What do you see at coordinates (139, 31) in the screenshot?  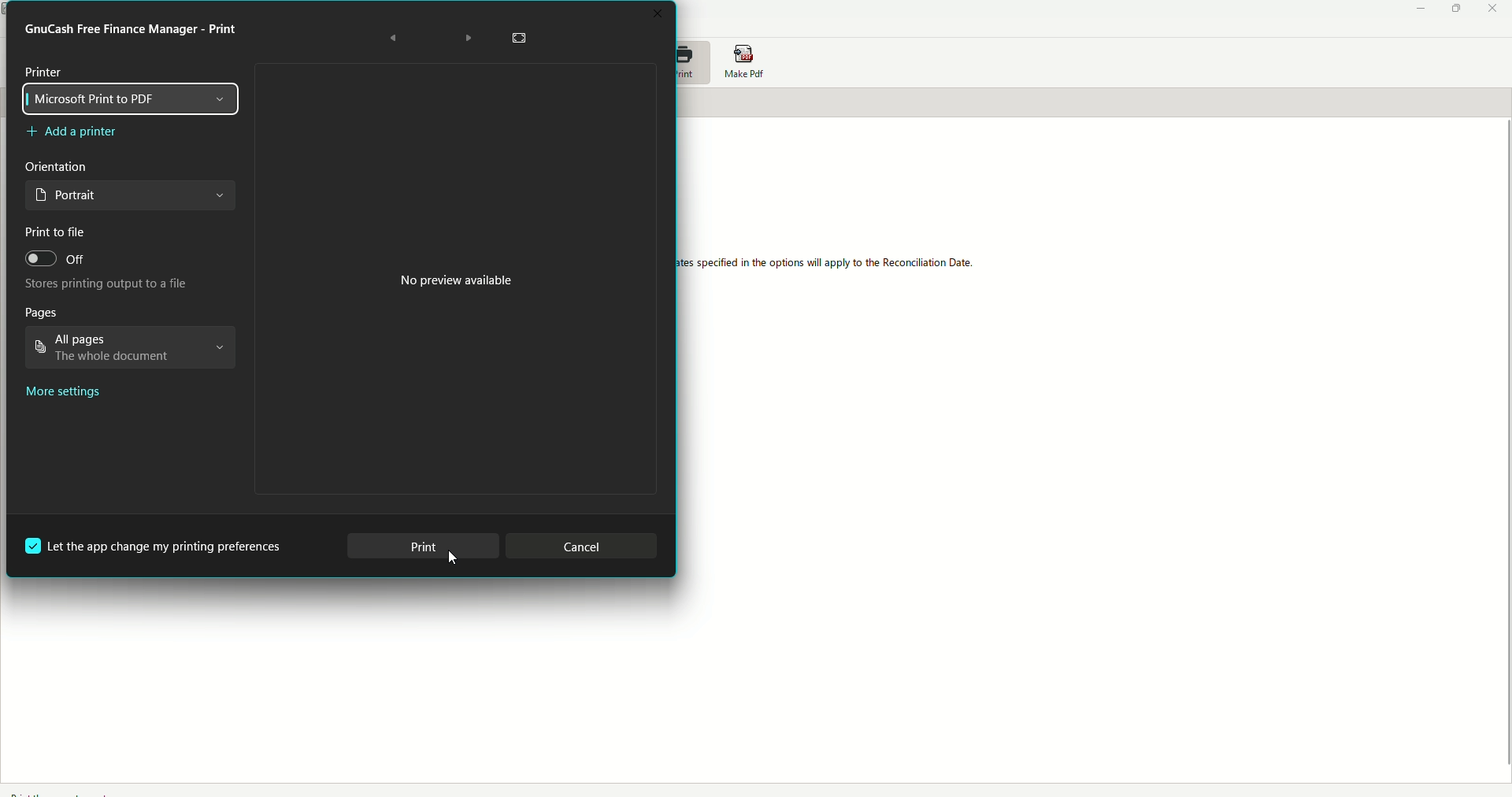 I see `Print` at bounding box center [139, 31].